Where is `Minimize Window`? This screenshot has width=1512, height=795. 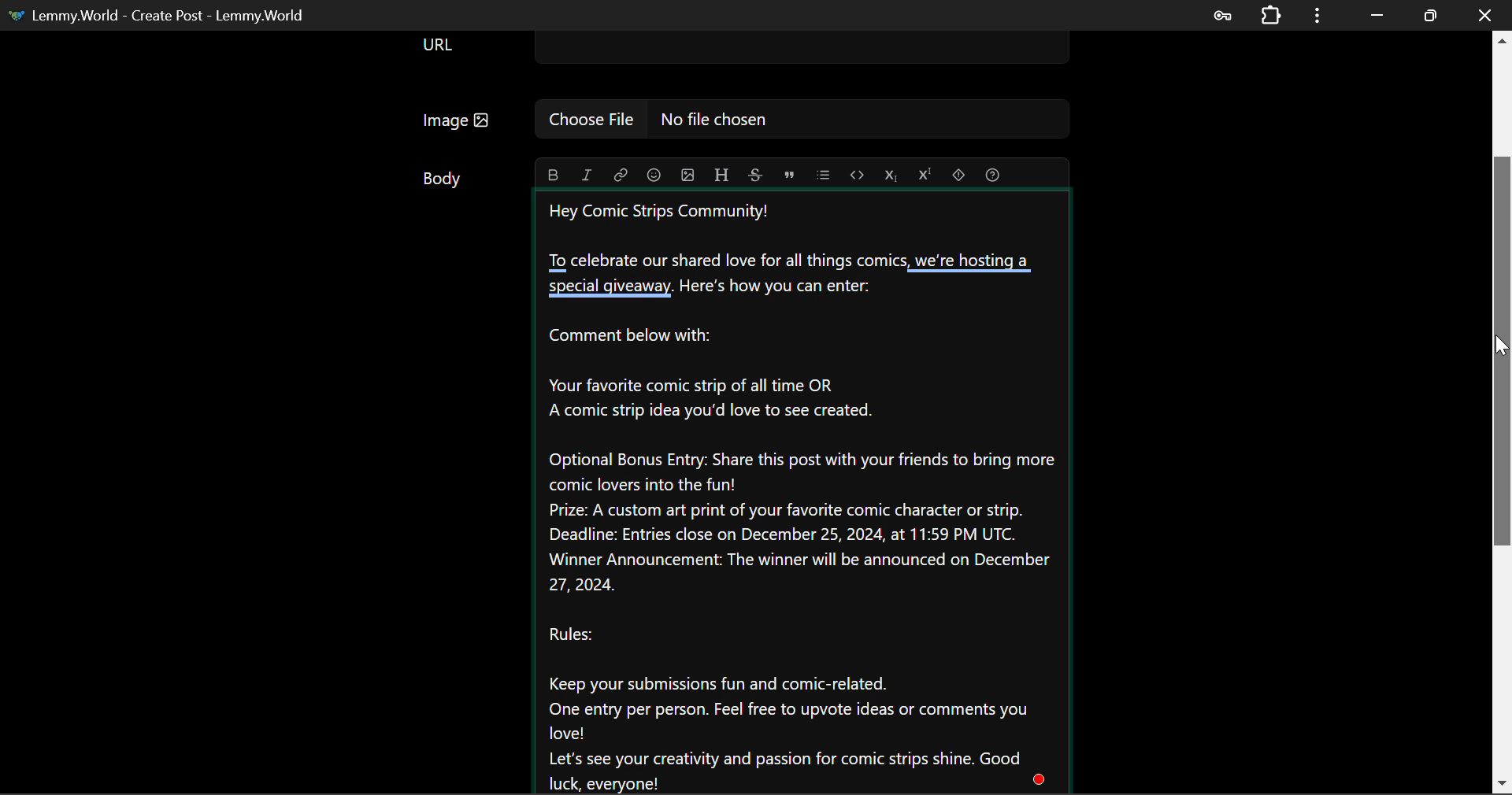 Minimize Window is located at coordinates (1430, 13).